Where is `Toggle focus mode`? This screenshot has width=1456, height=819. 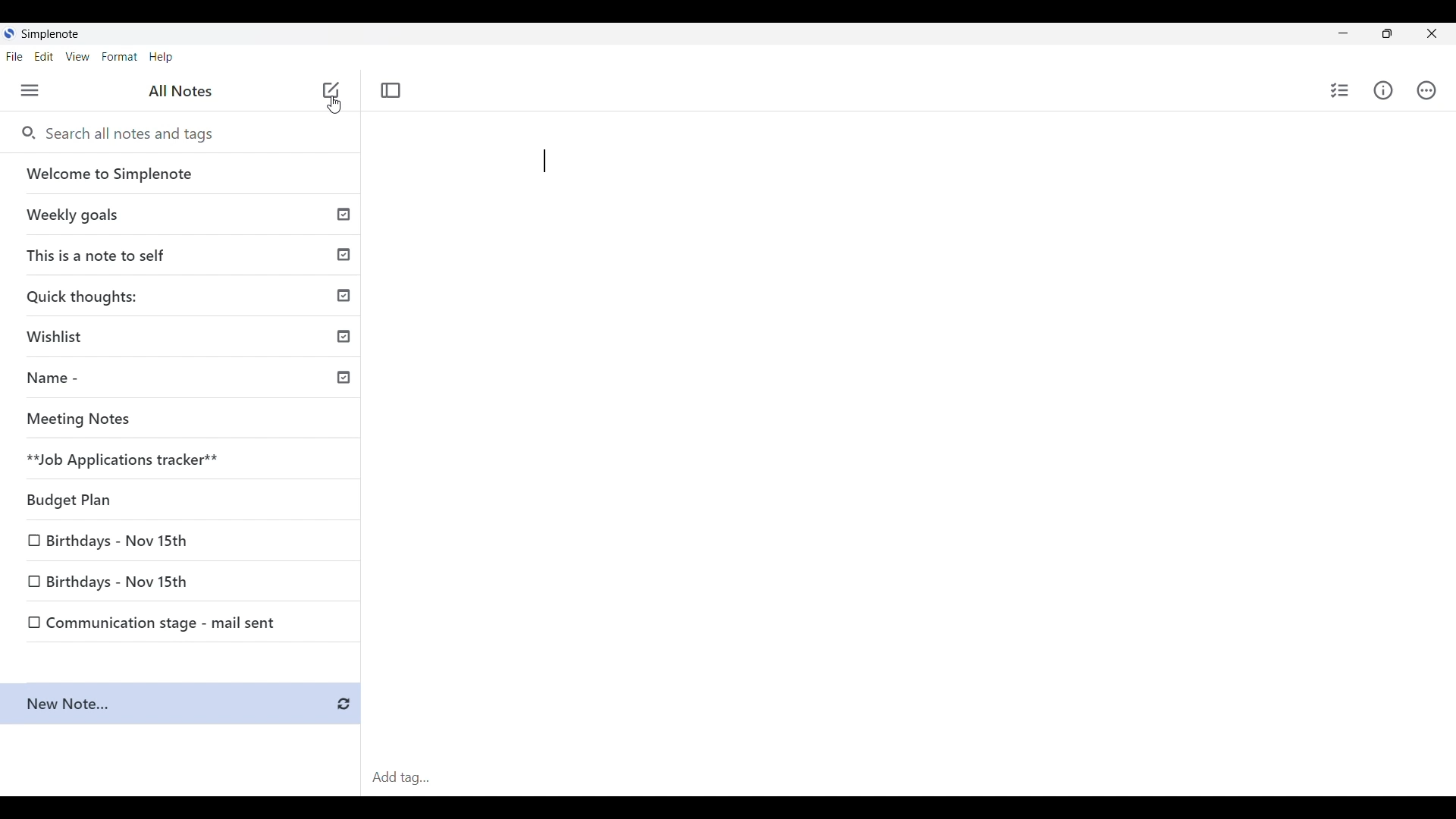
Toggle focus mode is located at coordinates (391, 90).